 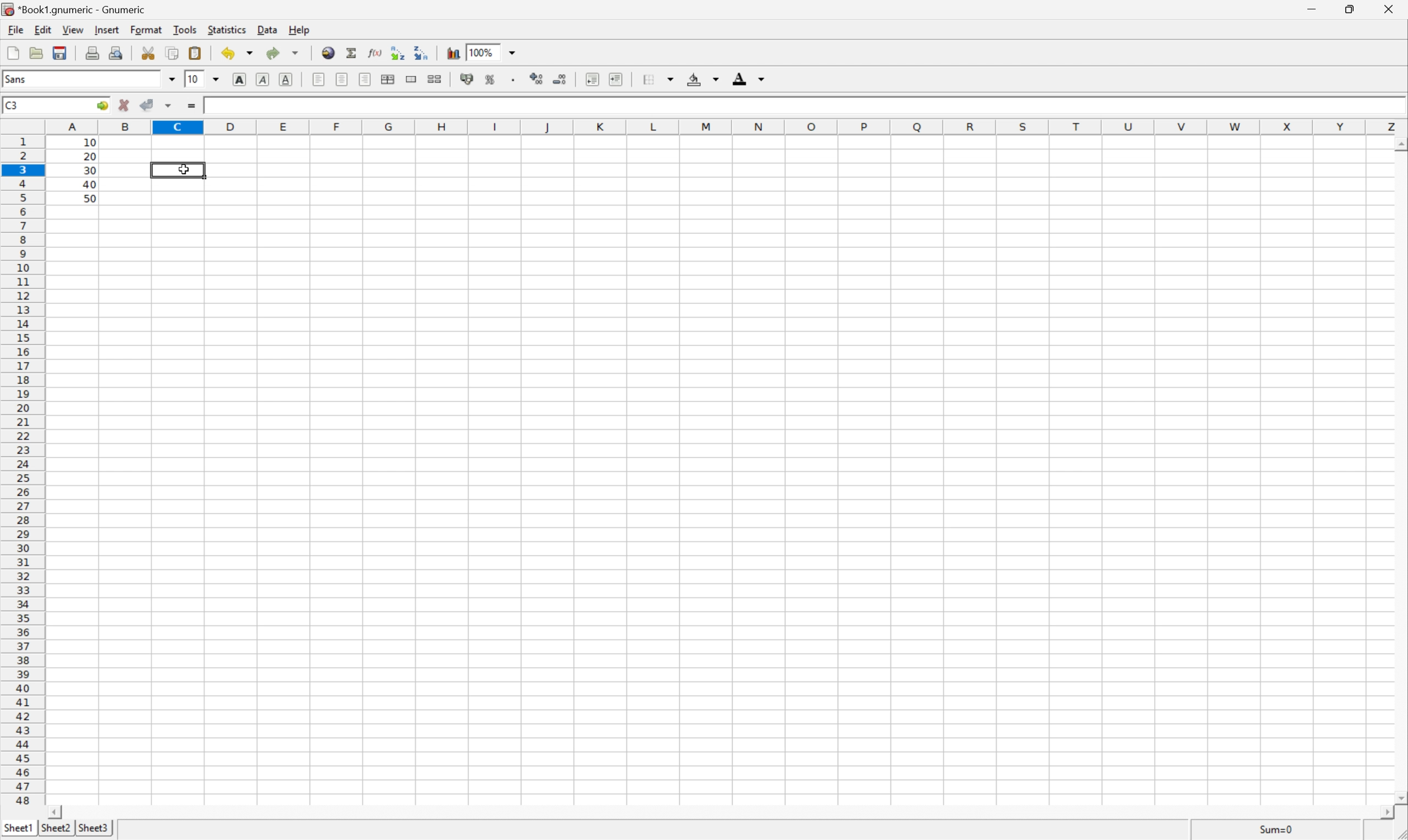 What do you see at coordinates (648, 79) in the screenshot?
I see `Borders` at bounding box center [648, 79].